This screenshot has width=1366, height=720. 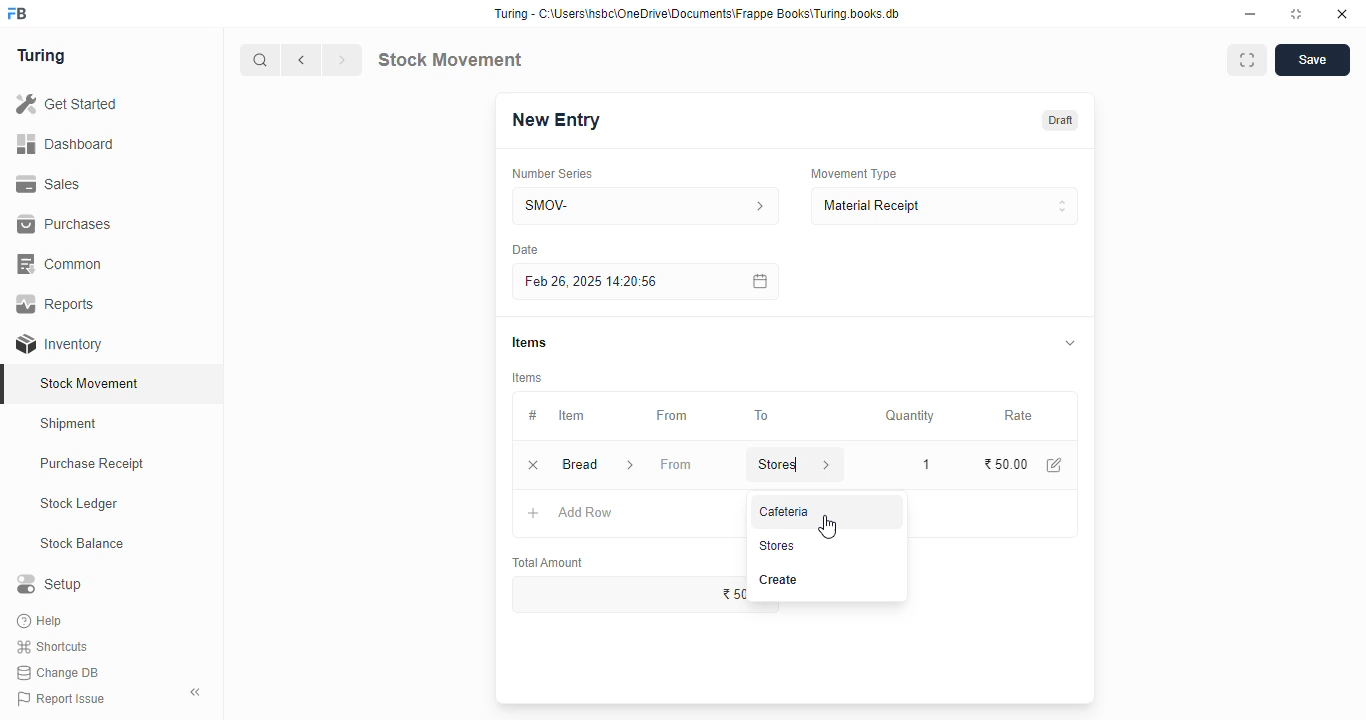 I want to click on total amount, so click(x=549, y=563).